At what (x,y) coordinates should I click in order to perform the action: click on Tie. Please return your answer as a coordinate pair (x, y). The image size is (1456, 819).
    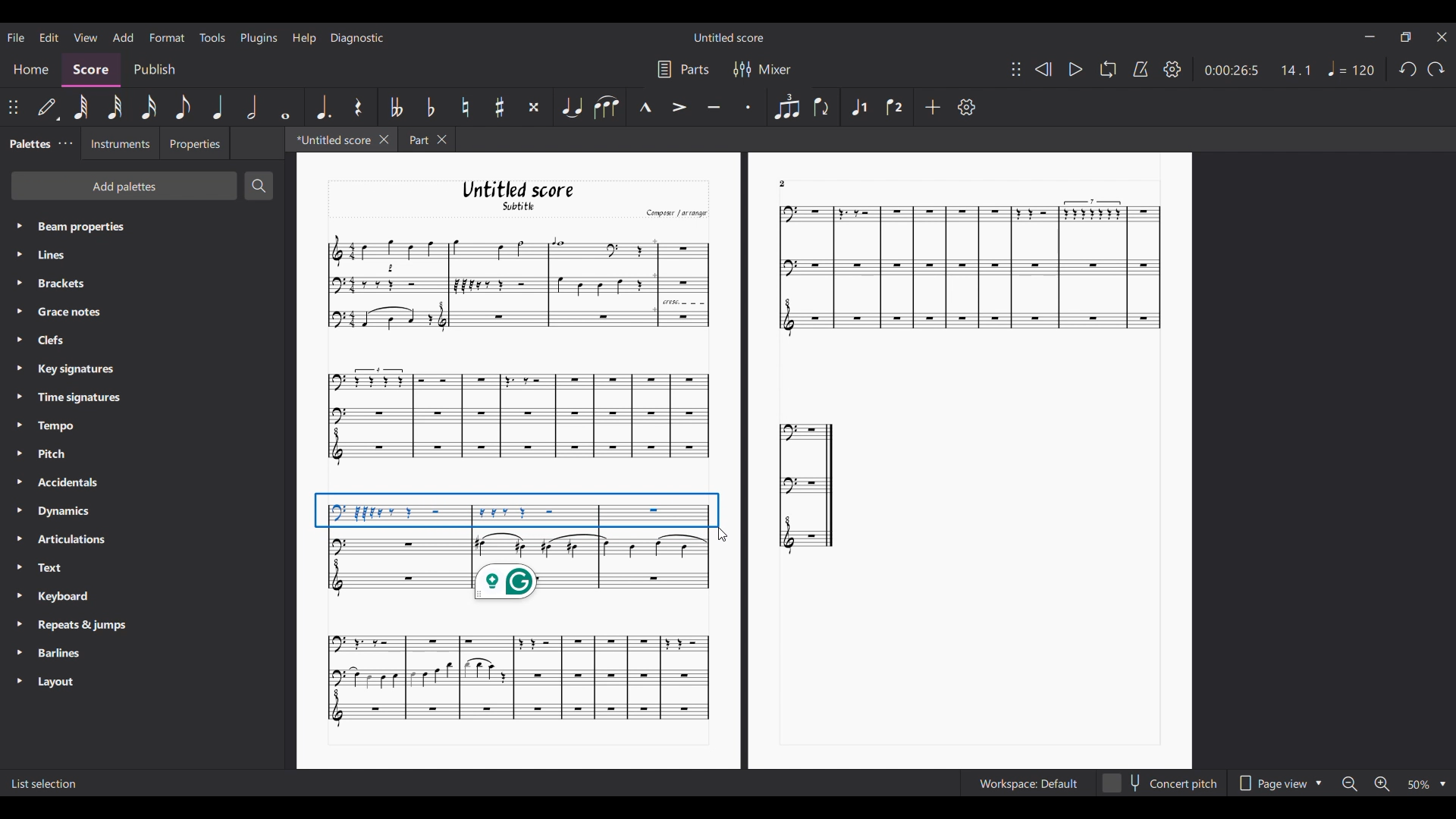
    Looking at the image, I should click on (572, 106).